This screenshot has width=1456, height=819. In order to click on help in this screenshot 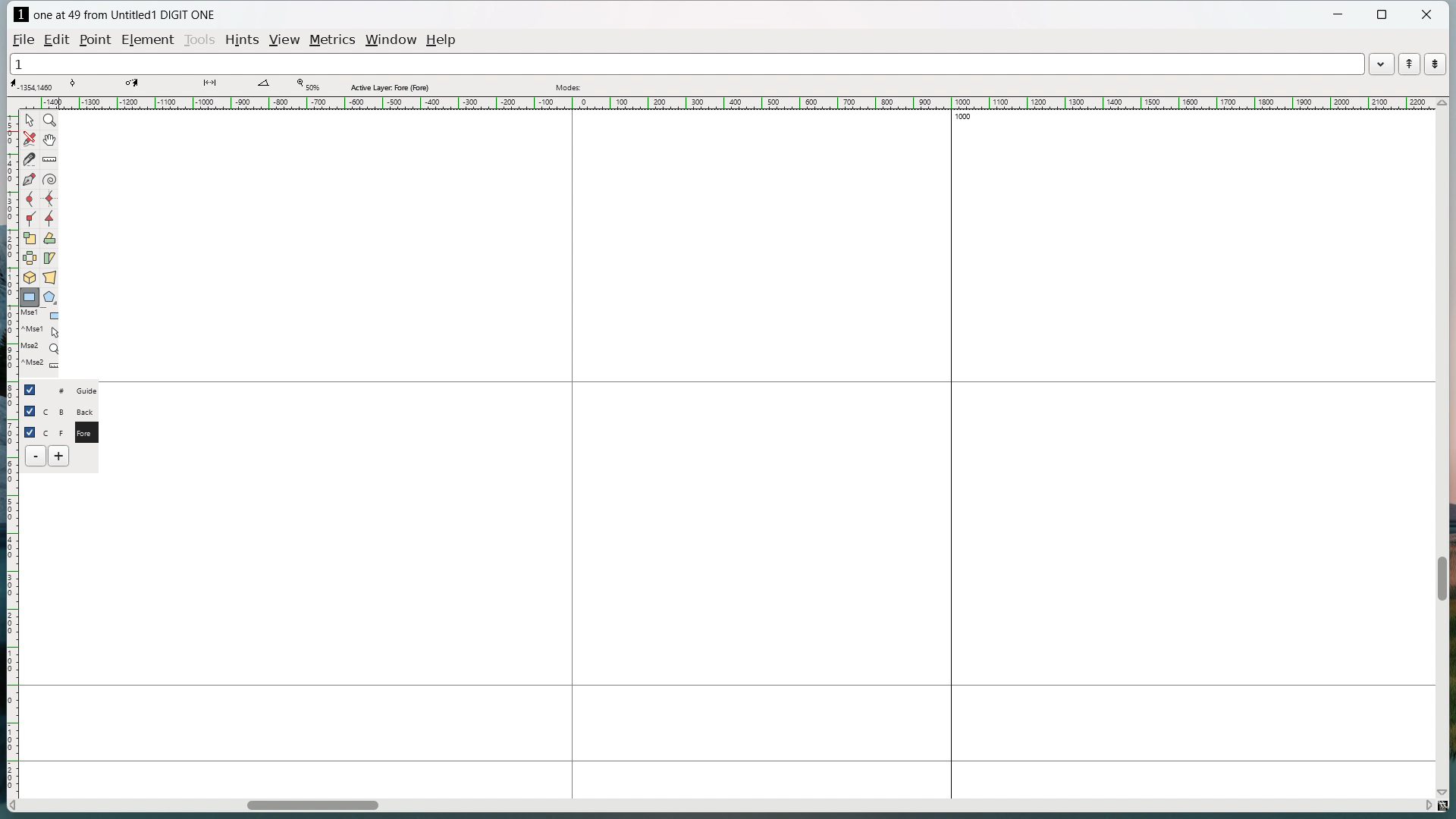, I will do `click(442, 40)`.